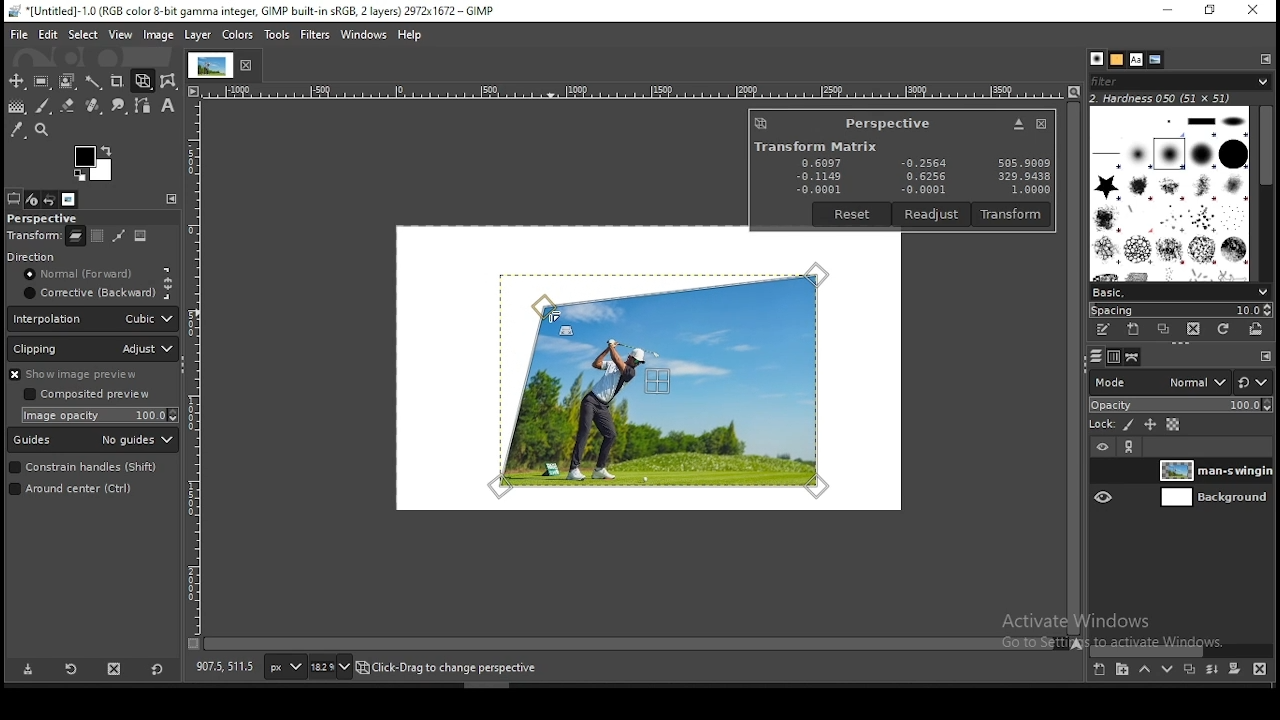  I want to click on lock alpha channel, so click(1172, 426).